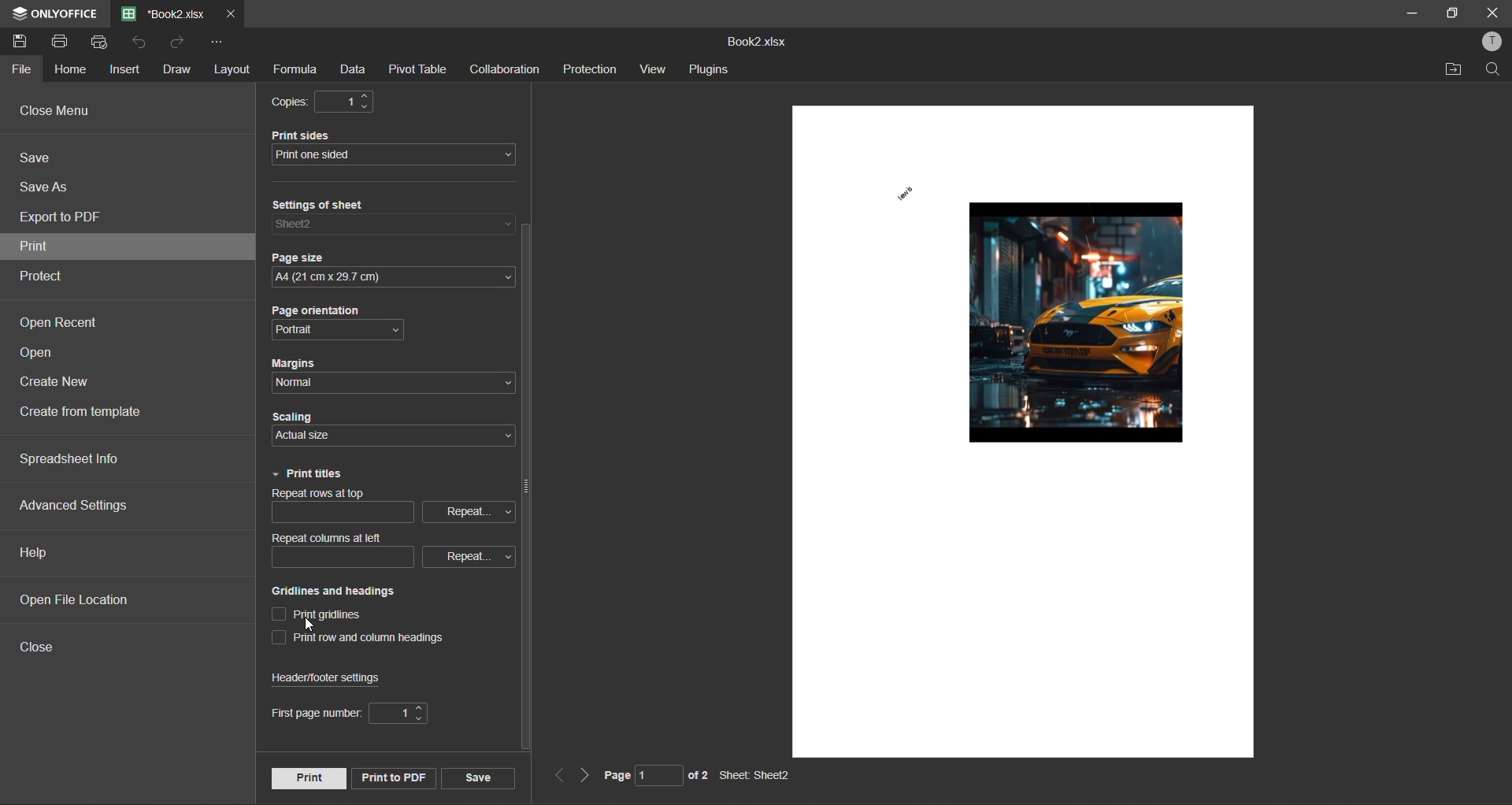 The width and height of the screenshot is (1512, 805). What do you see at coordinates (80, 600) in the screenshot?
I see `open file location` at bounding box center [80, 600].